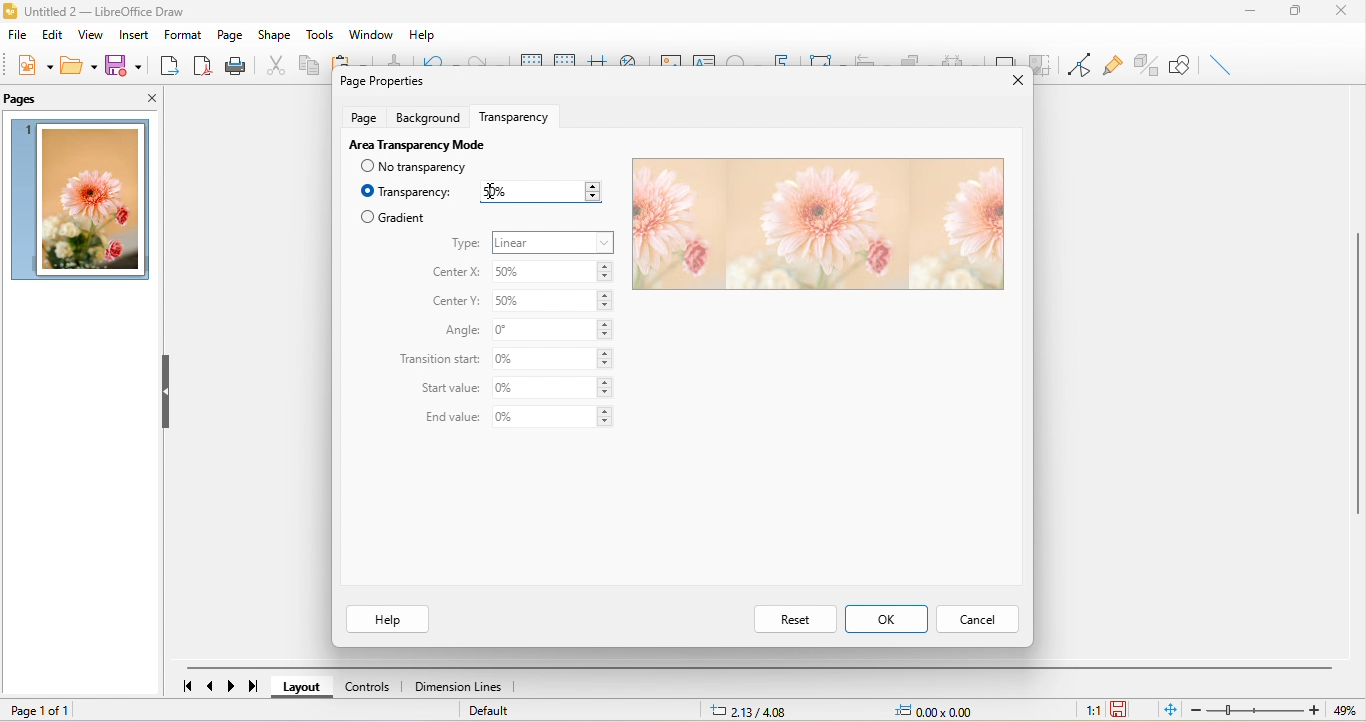 The height and width of the screenshot is (722, 1366). I want to click on title, so click(102, 13).